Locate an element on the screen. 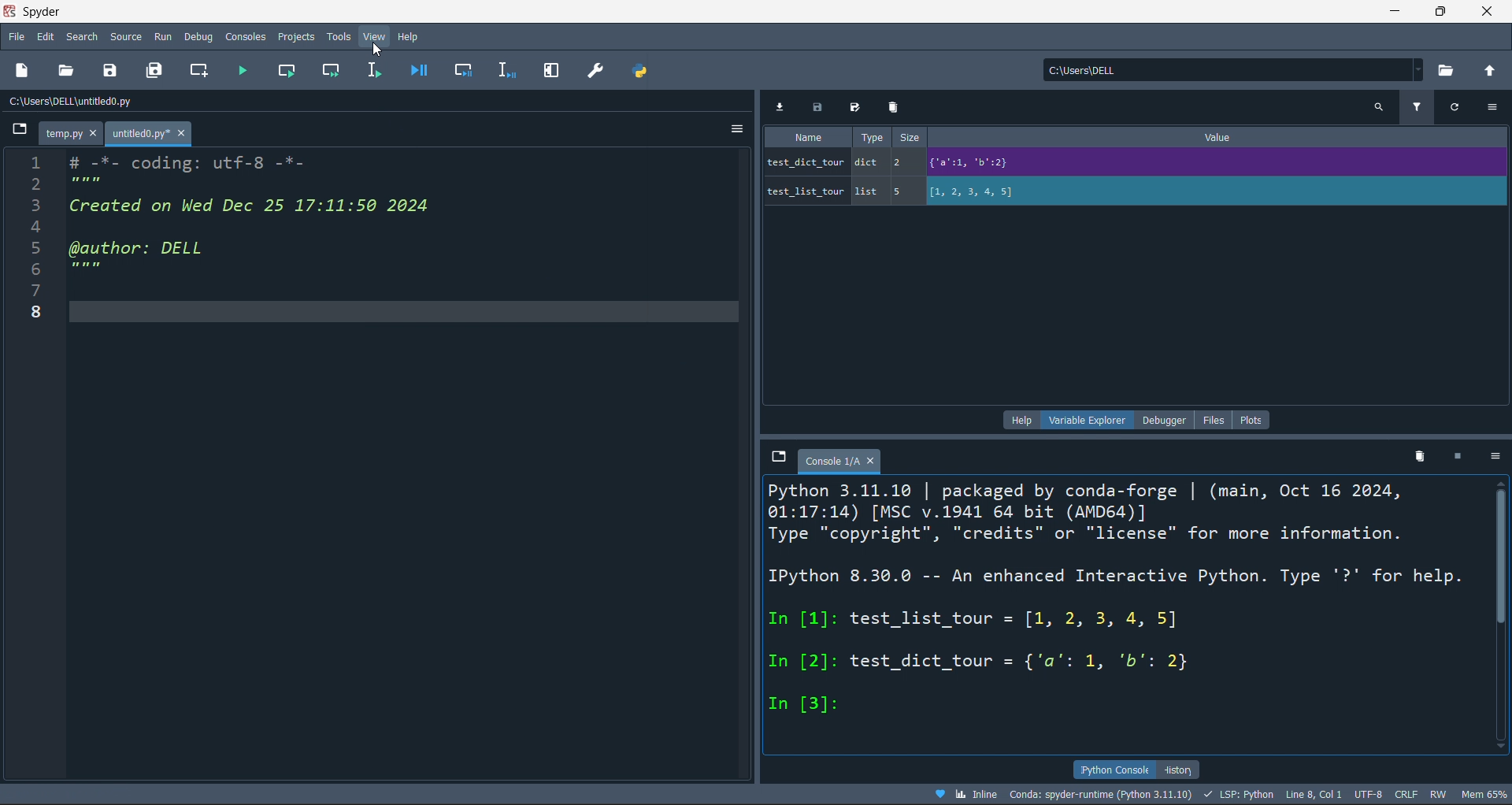 Image resolution: width=1512 pixels, height=805 pixels. value is located at coordinates (1220, 135).